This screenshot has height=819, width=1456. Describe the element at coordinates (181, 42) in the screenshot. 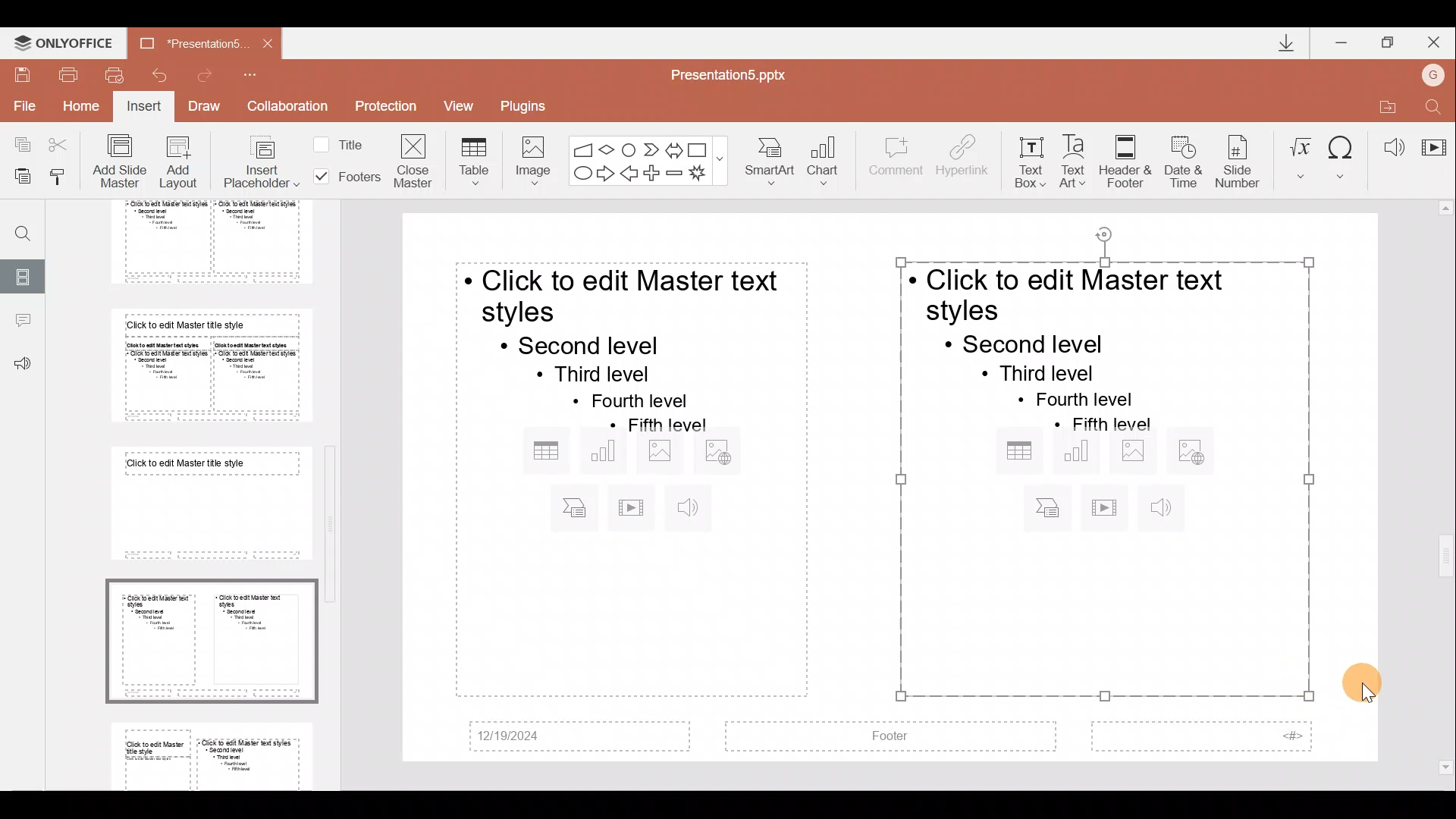

I see `Document name` at that location.